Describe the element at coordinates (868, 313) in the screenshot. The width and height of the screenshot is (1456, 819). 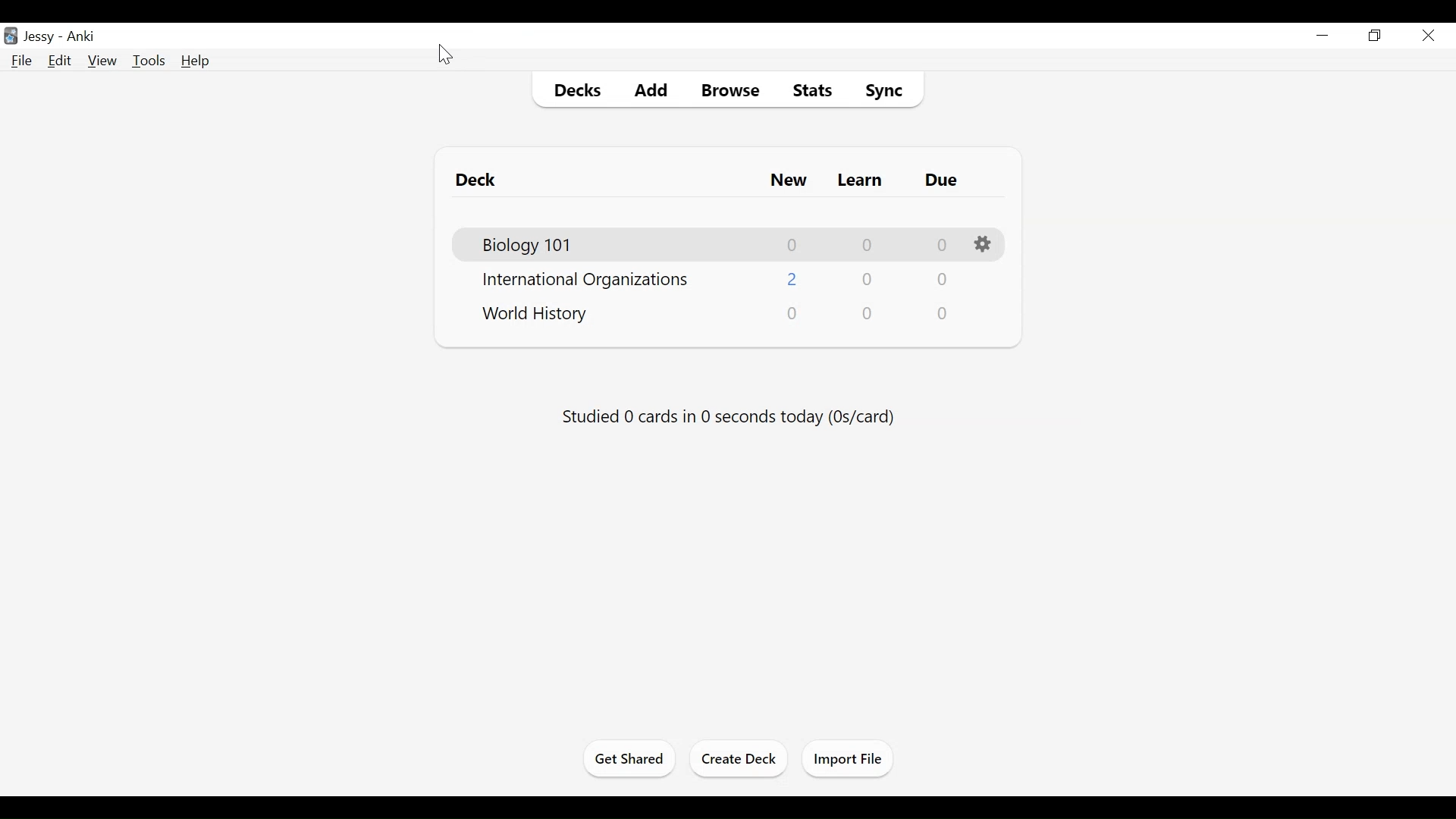
I see `Learn Card Count` at that location.